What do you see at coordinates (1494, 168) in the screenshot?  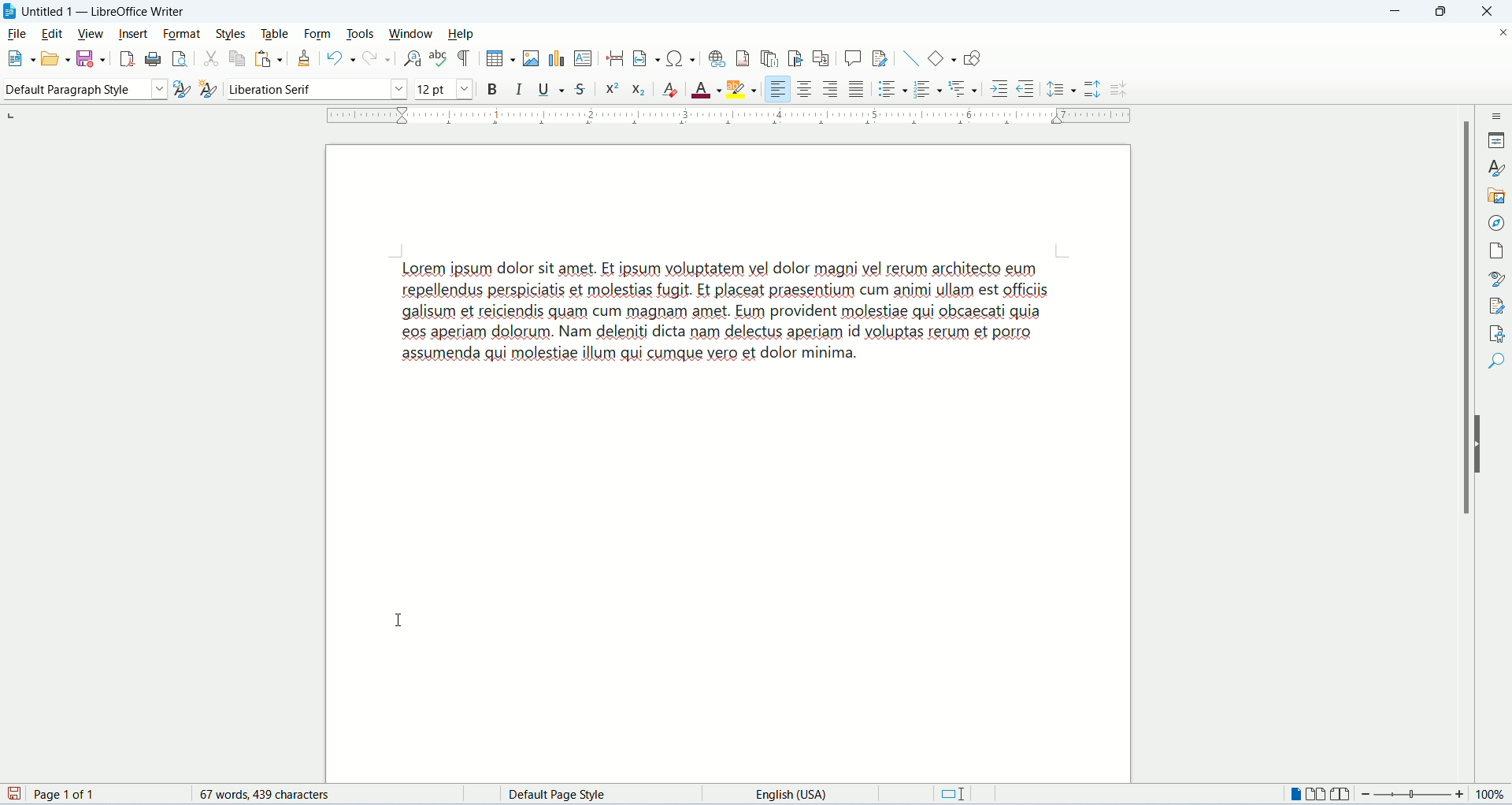 I see `style` at bounding box center [1494, 168].